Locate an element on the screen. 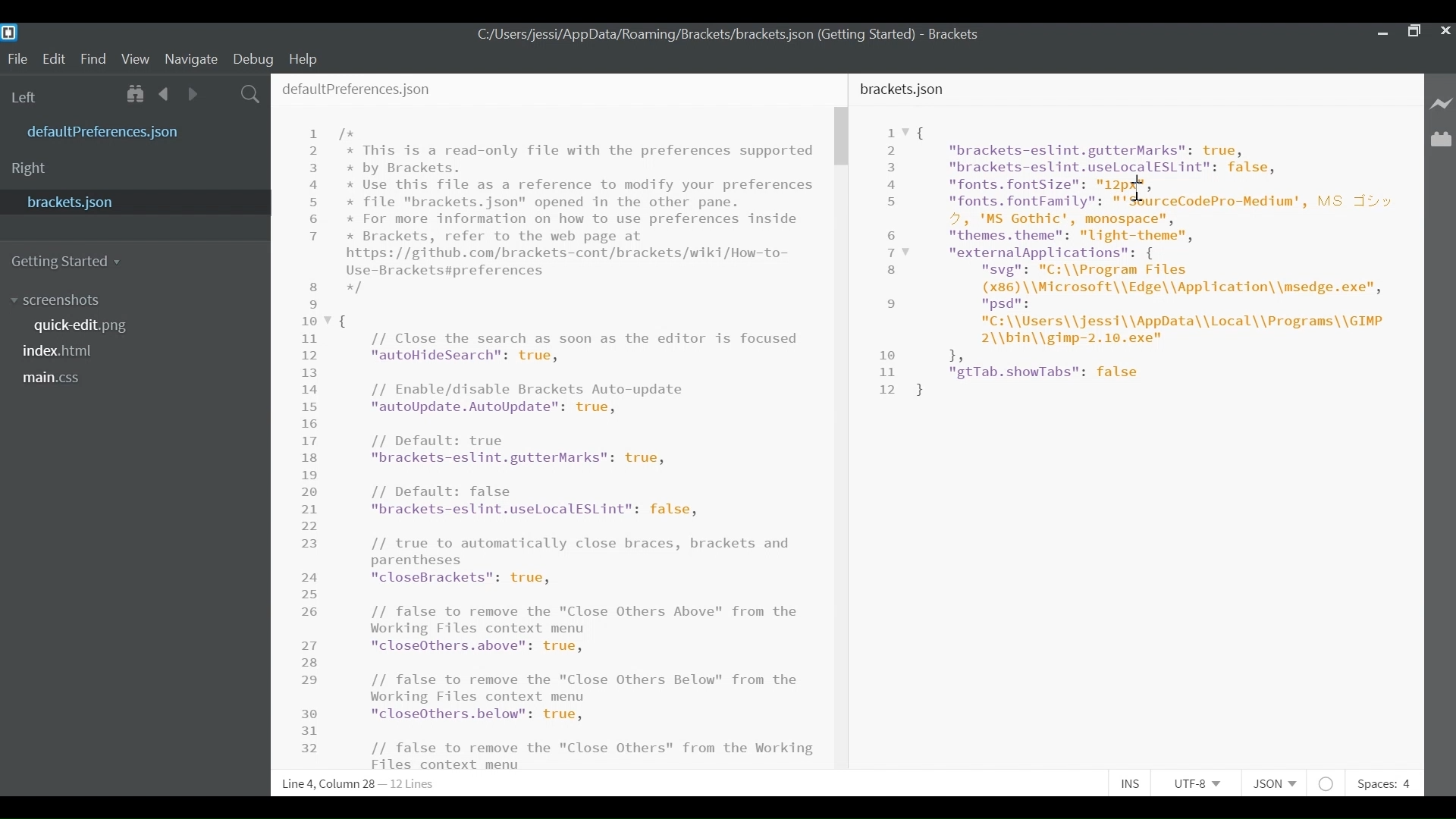 The height and width of the screenshot is (819, 1456). Vertical Scroll bar is located at coordinates (843, 137).